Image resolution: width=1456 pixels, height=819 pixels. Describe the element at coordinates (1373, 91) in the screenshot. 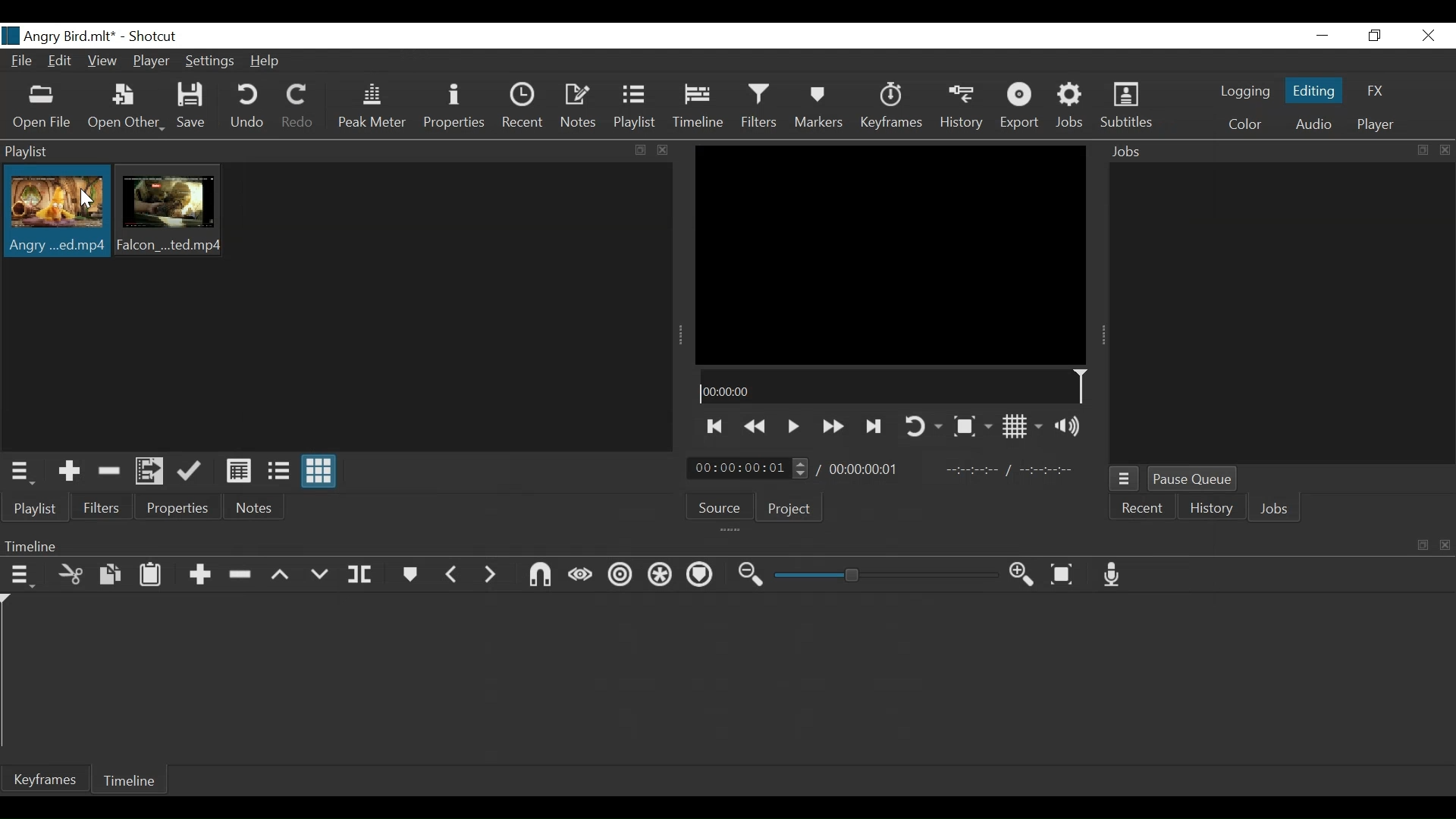

I see `FX` at that location.